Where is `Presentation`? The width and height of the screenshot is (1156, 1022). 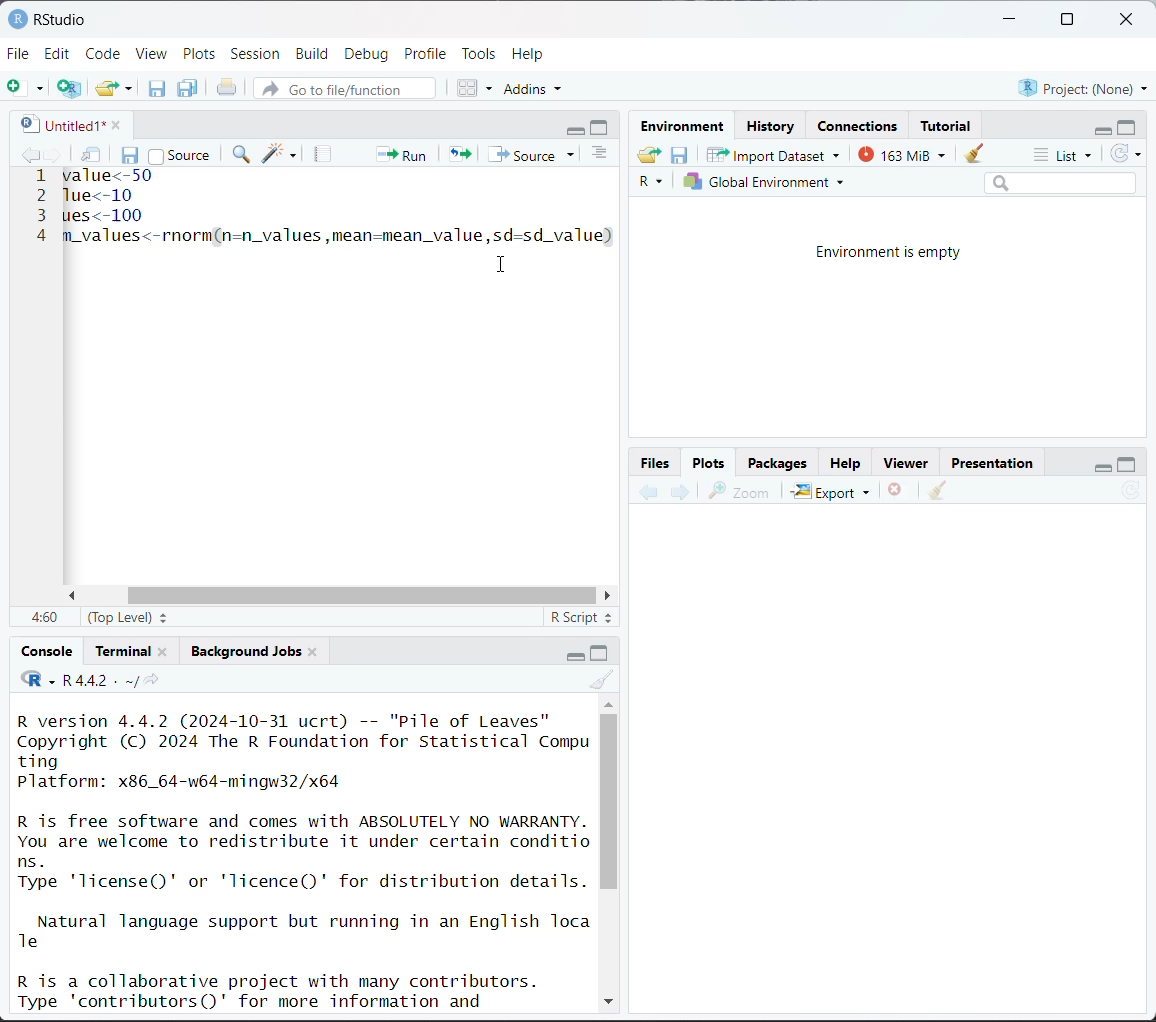 Presentation is located at coordinates (993, 464).